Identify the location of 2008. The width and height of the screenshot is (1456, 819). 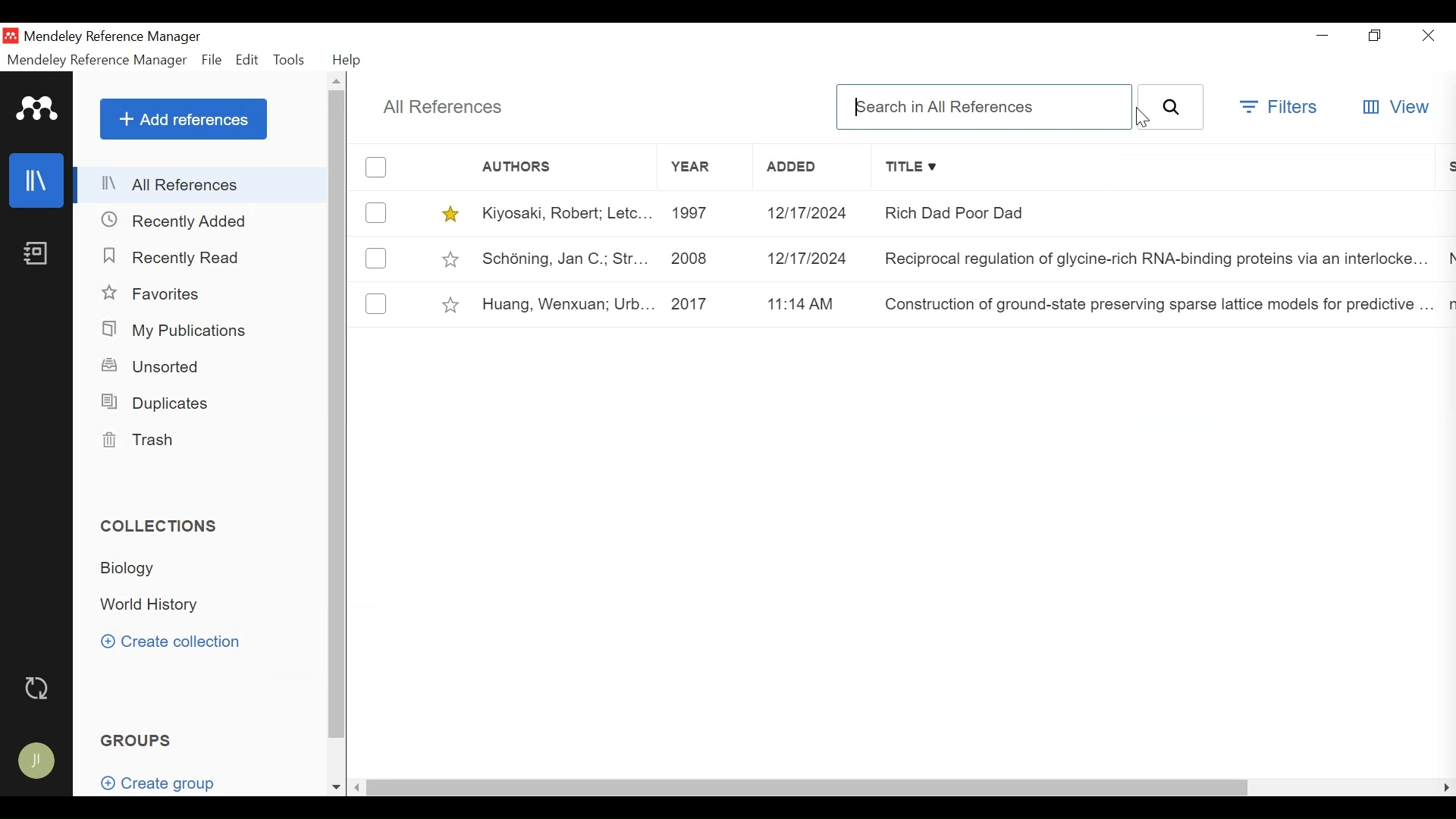
(700, 256).